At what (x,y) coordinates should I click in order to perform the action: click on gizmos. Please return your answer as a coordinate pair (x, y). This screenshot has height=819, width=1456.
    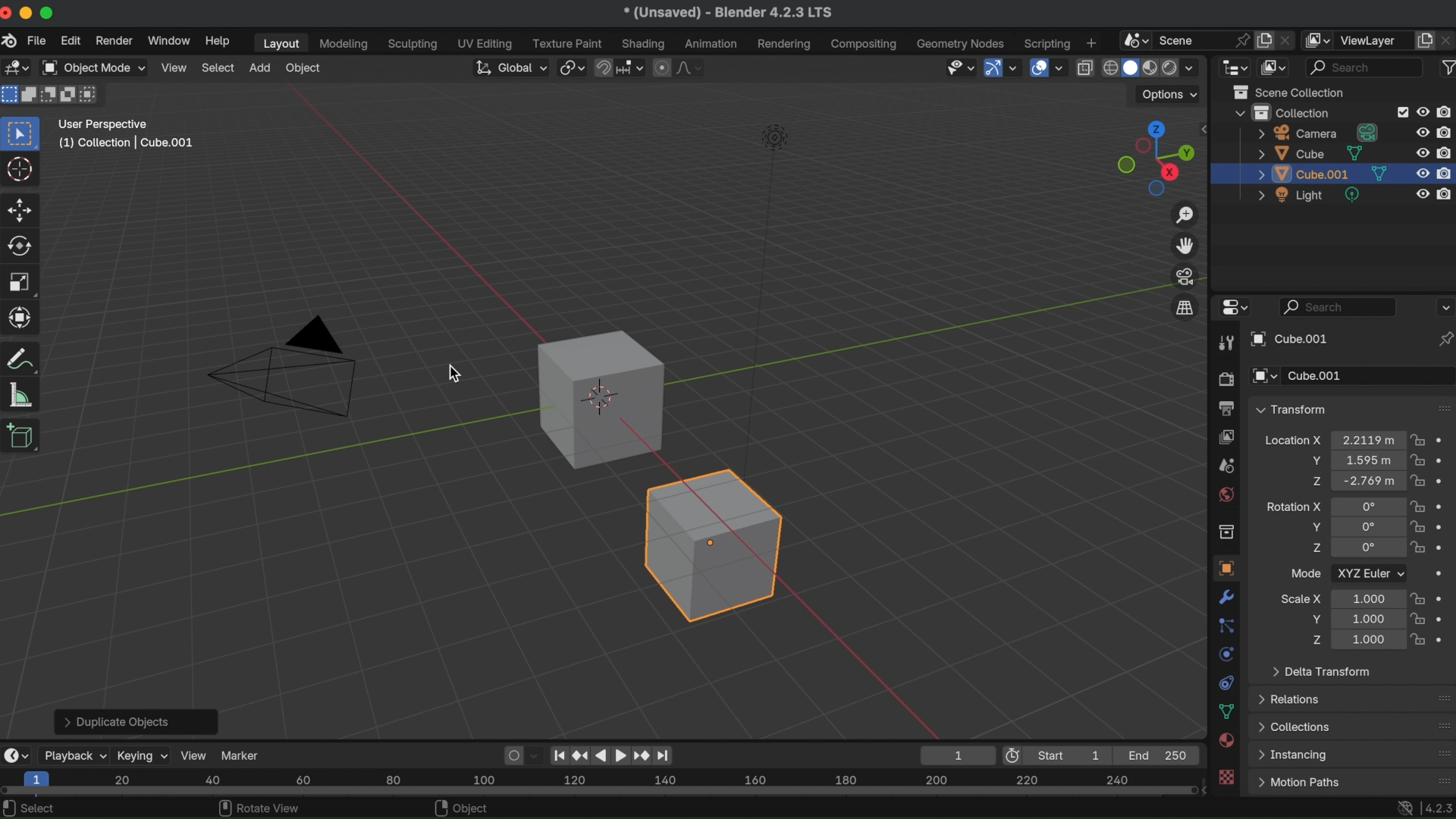
    Looking at the image, I should click on (1014, 68).